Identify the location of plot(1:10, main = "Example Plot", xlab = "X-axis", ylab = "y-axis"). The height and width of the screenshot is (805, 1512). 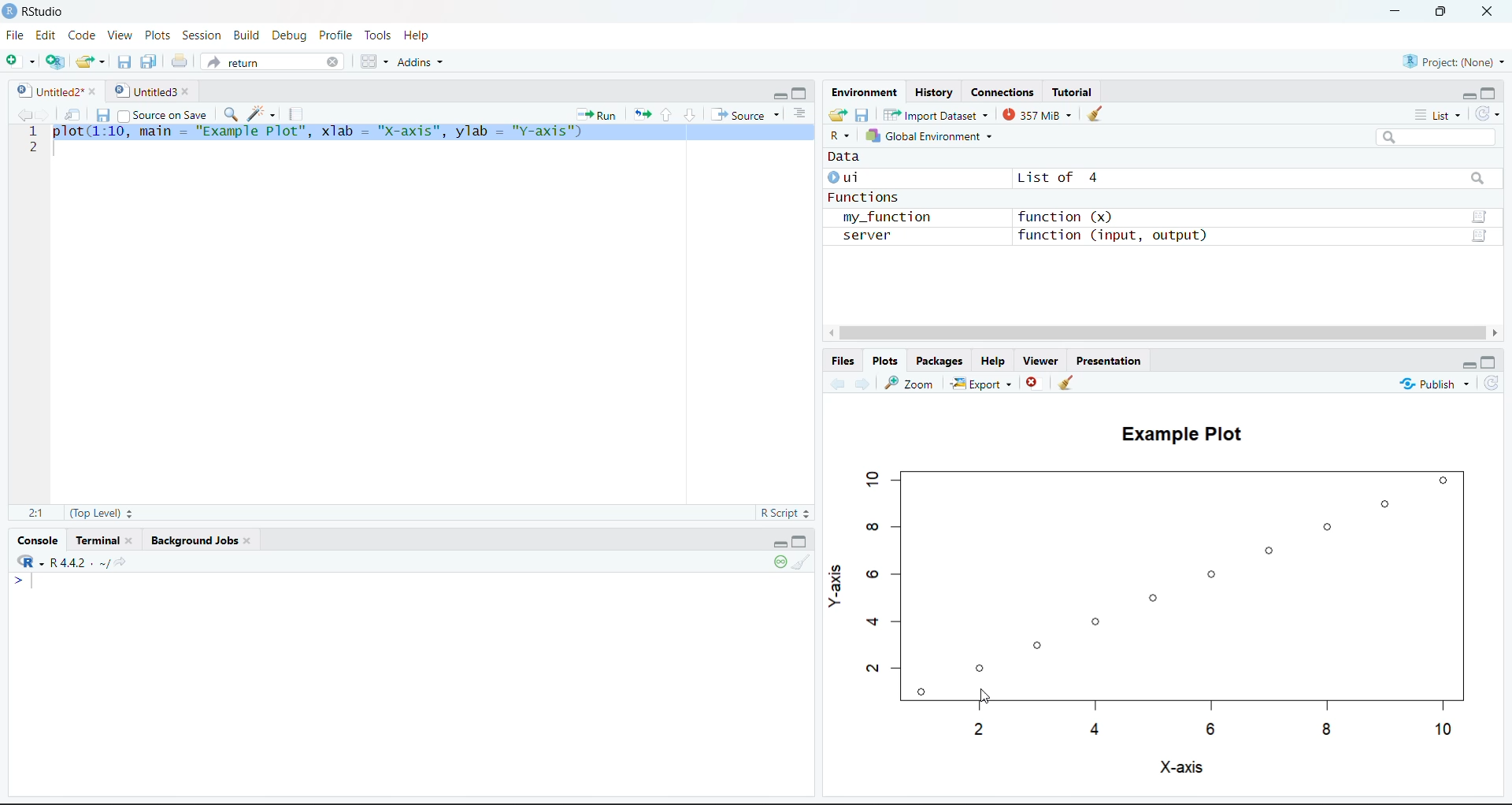
(432, 132).